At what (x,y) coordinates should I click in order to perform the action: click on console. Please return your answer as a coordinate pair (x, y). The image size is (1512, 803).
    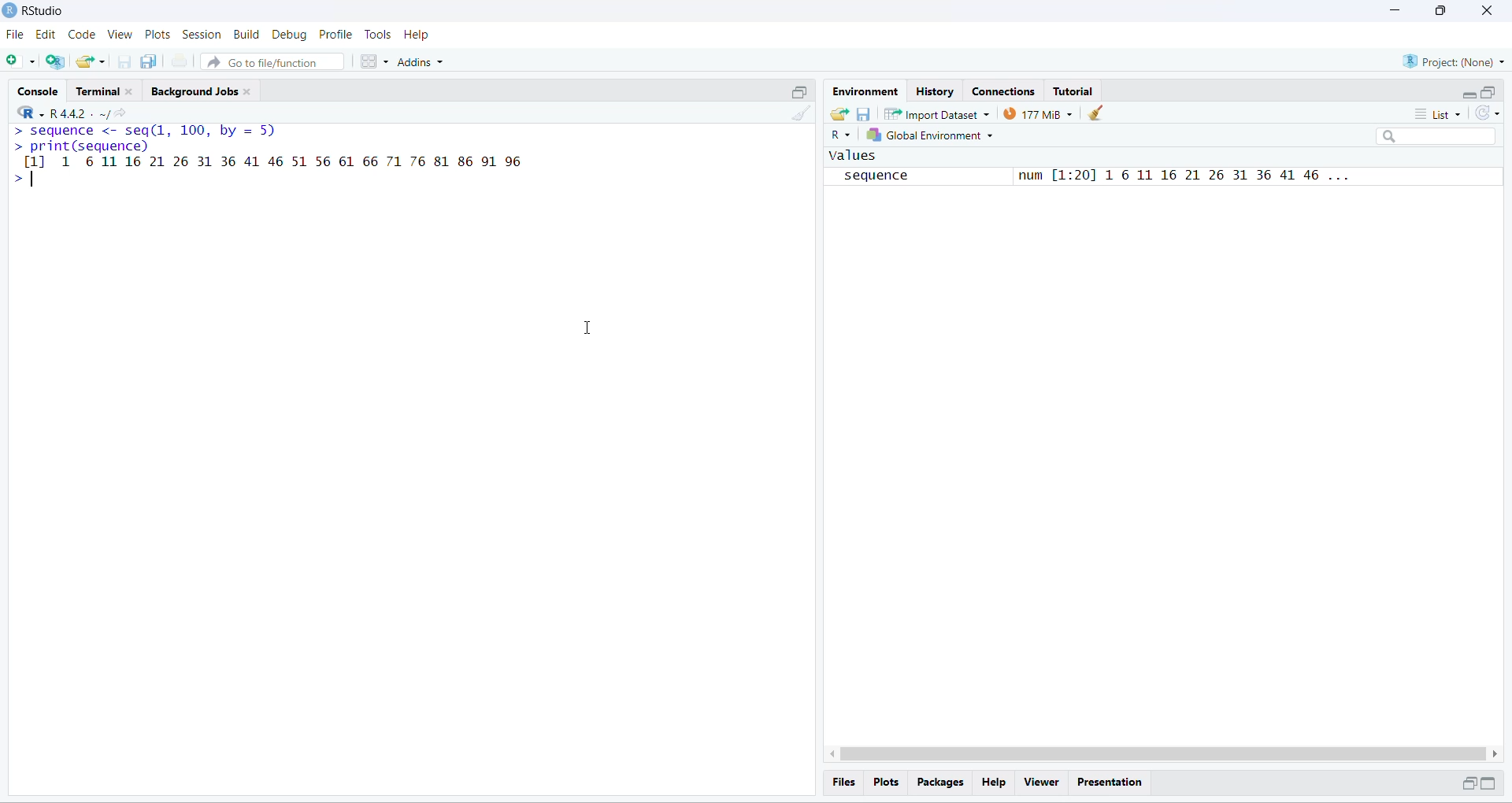
    Looking at the image, I should click on (41, 92).